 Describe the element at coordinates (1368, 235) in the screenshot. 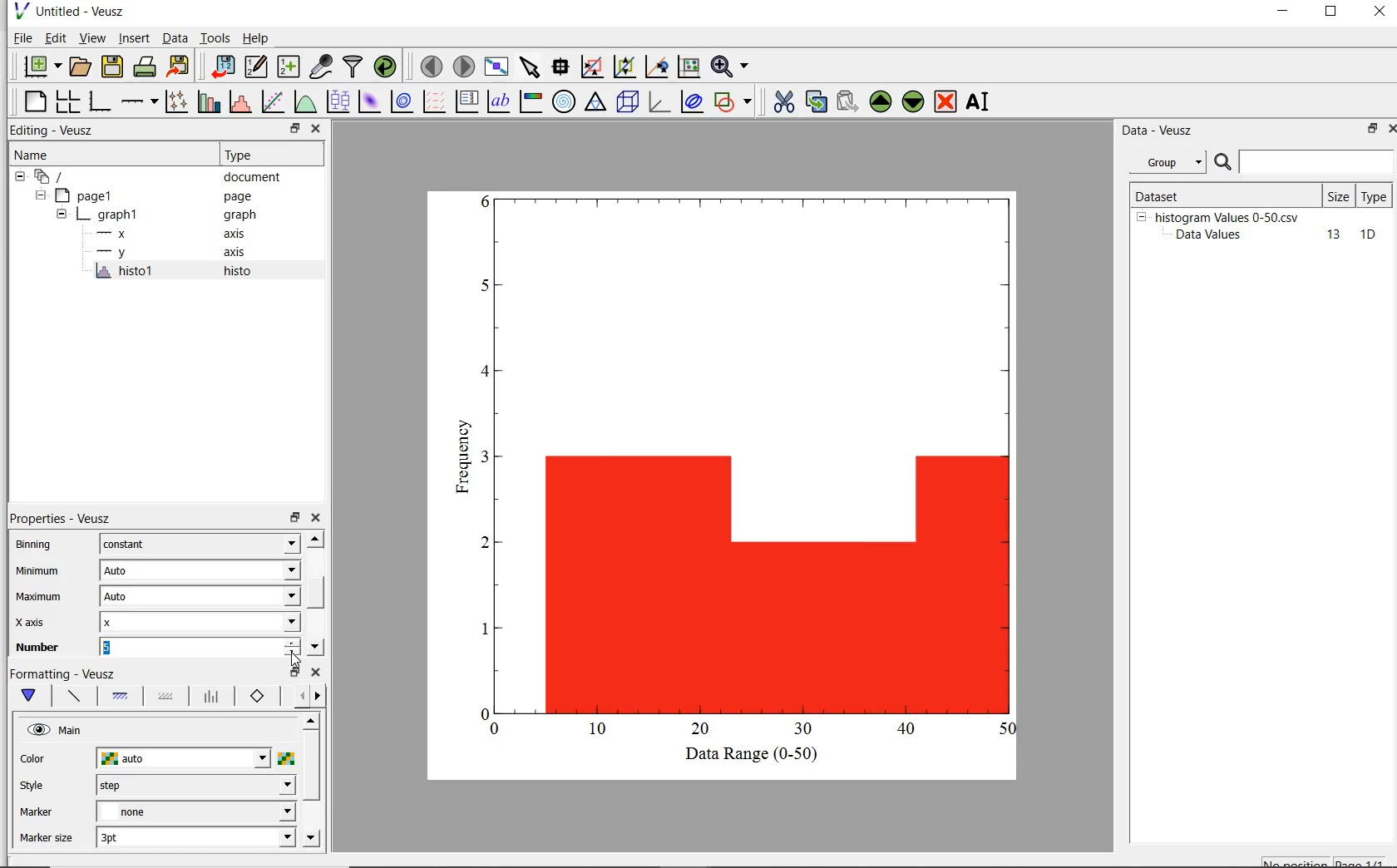

I see `10` at that location.